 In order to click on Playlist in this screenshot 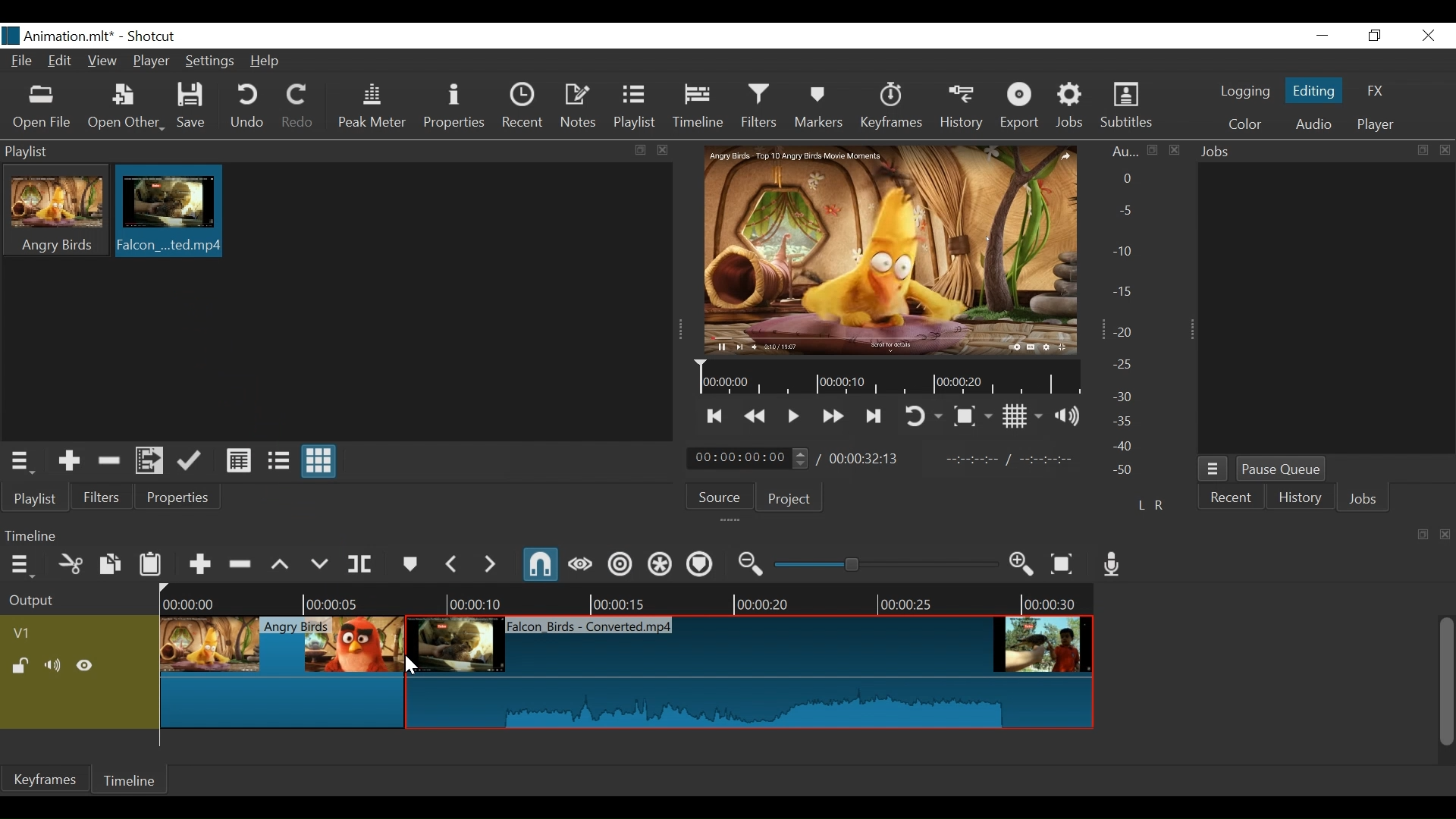, I will do `click(635, 108)`.